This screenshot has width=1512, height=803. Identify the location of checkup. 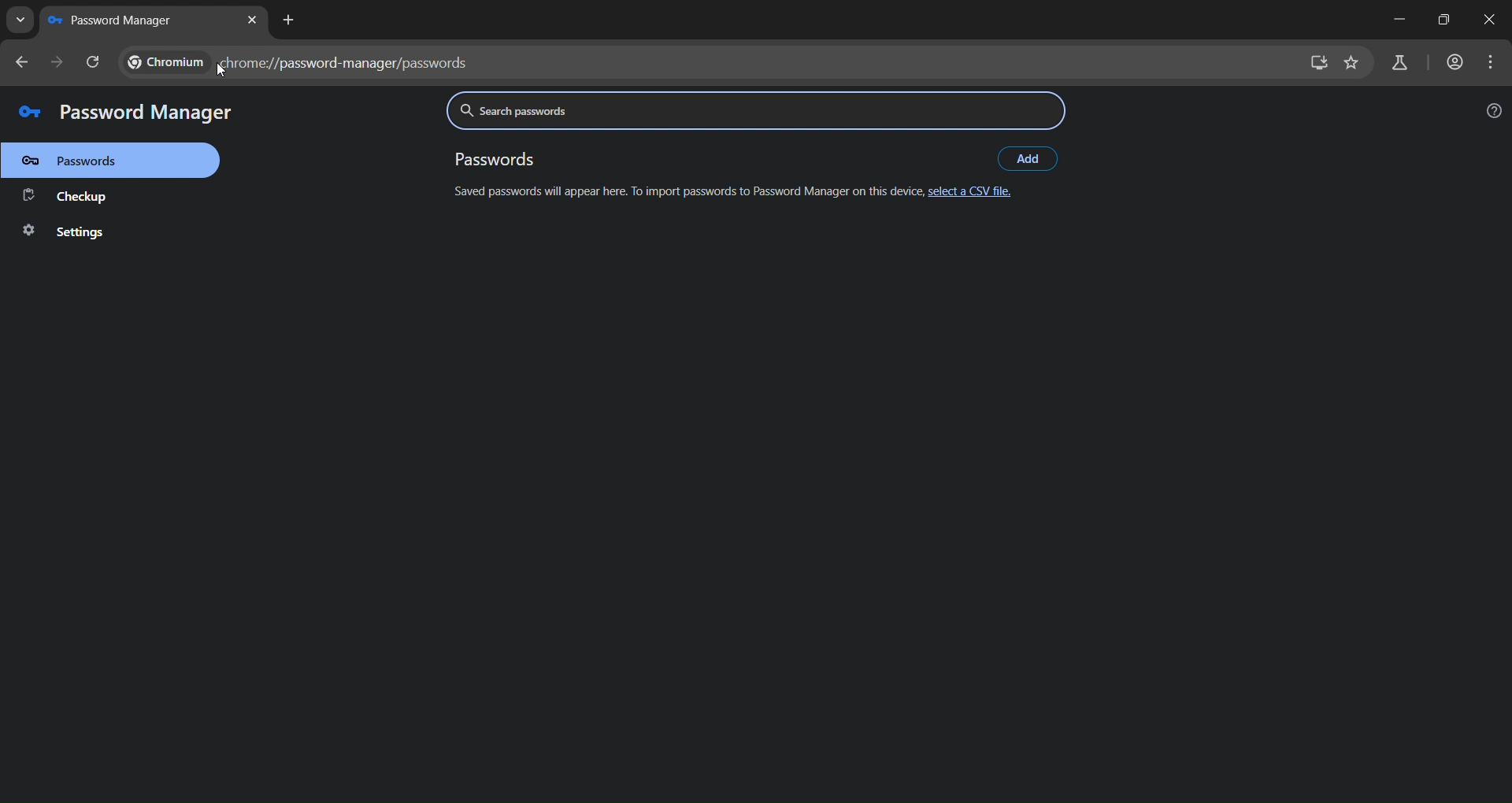
(69, 195).